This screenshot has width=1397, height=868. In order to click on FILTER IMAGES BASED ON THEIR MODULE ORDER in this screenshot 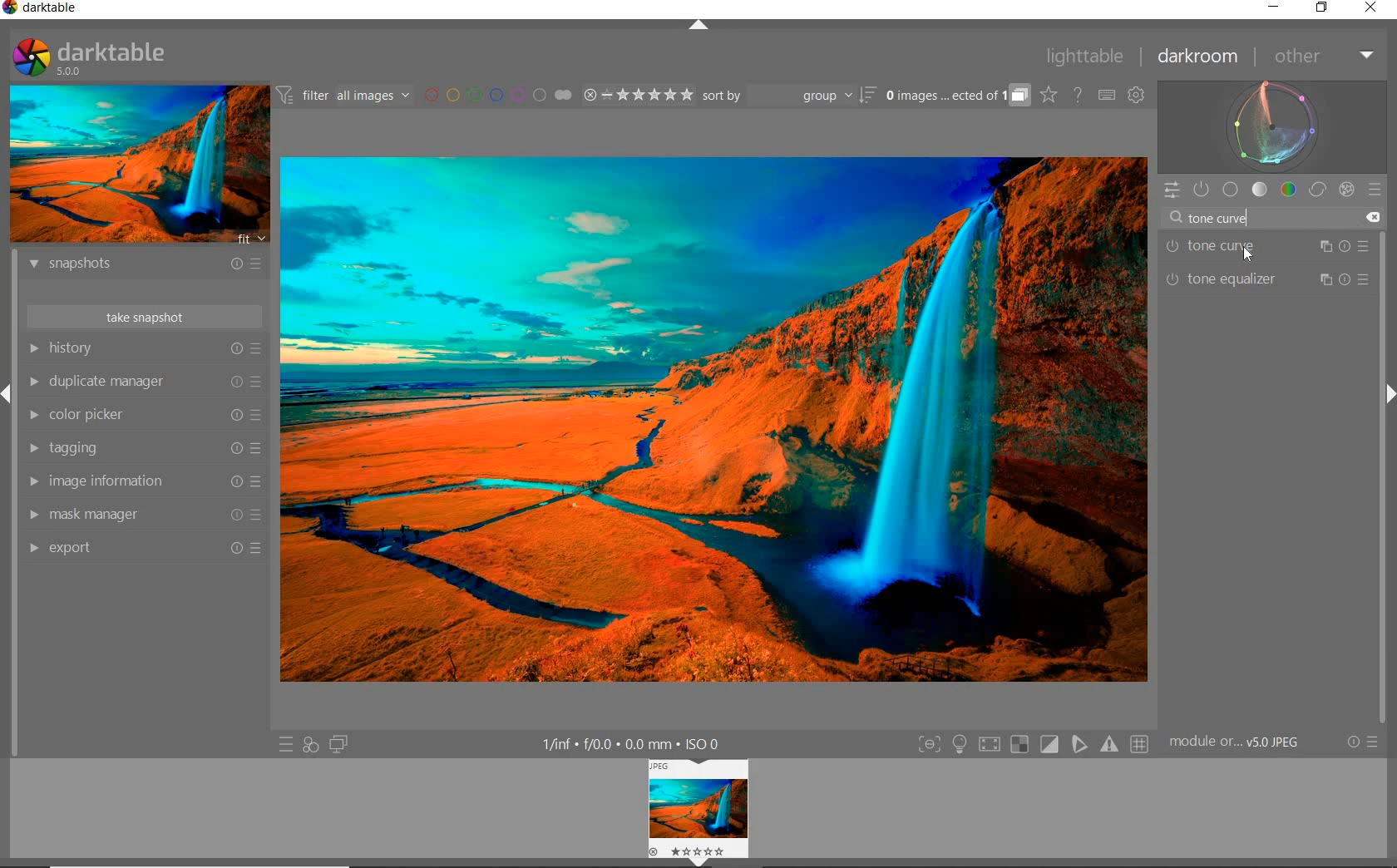, I will do `click(343, 96)`.